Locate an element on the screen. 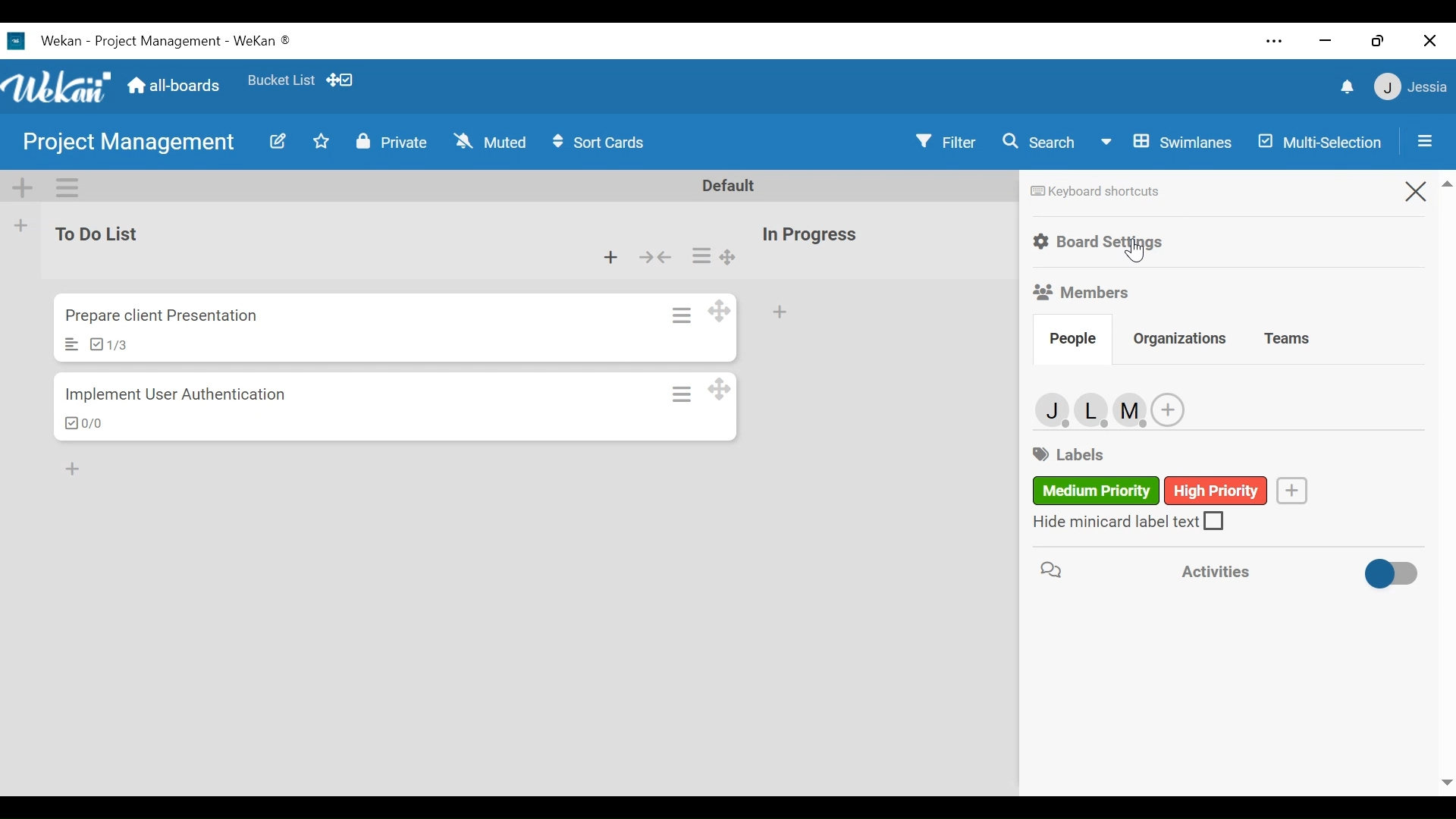 The width and height of the screenshot is (1456, 819). Card Title is located at coordinates (178, 397).